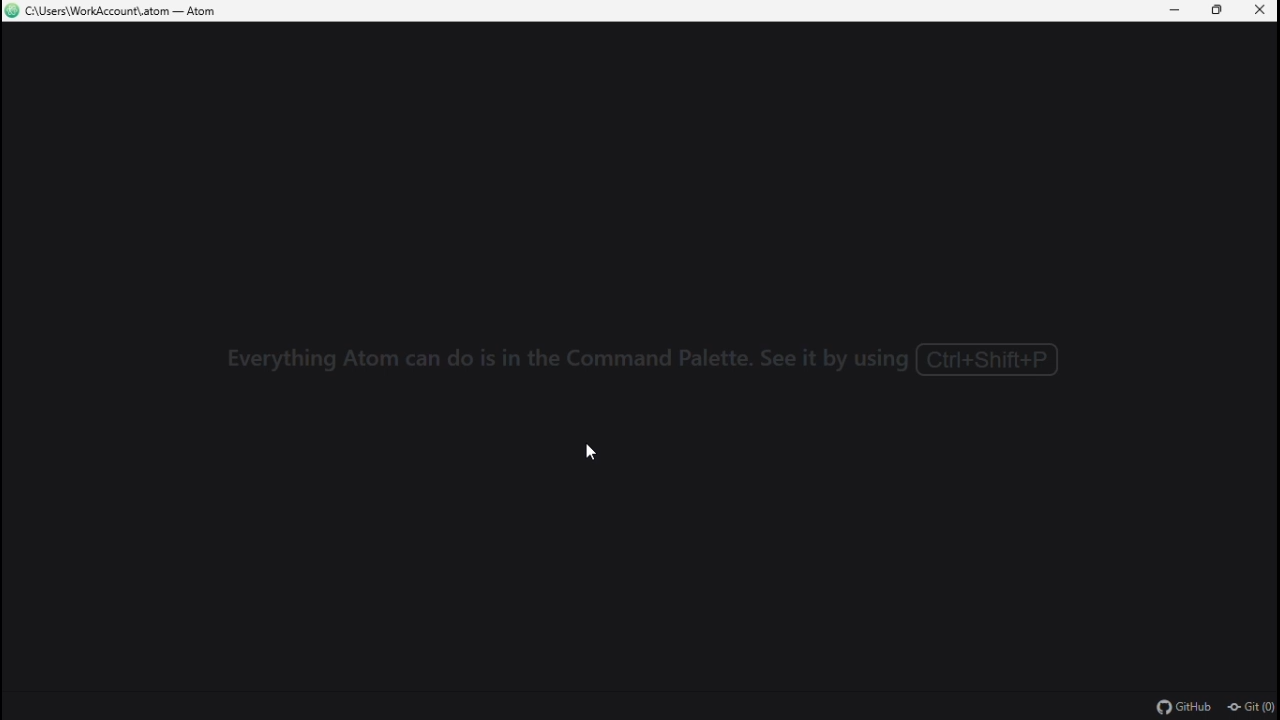 Image resolution: width=1280 pixels, height=720 pixels. What do you see at coordinates (1262, 11) in the screenshot?
I see `Close` at bounding box center [1262, 11].